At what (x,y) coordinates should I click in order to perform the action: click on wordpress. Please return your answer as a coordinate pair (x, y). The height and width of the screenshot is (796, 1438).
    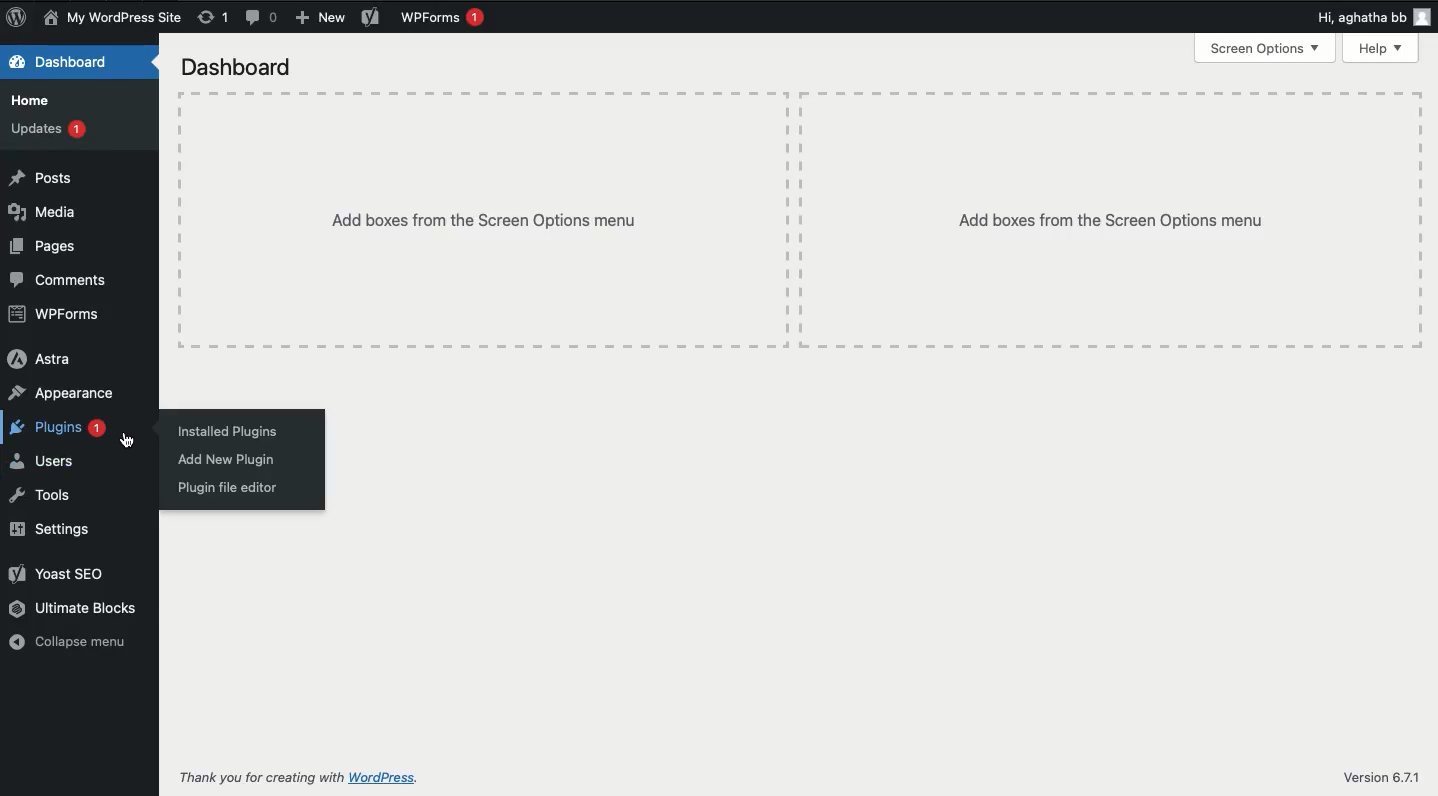
    Looking at the image, I should click on (385, 778).